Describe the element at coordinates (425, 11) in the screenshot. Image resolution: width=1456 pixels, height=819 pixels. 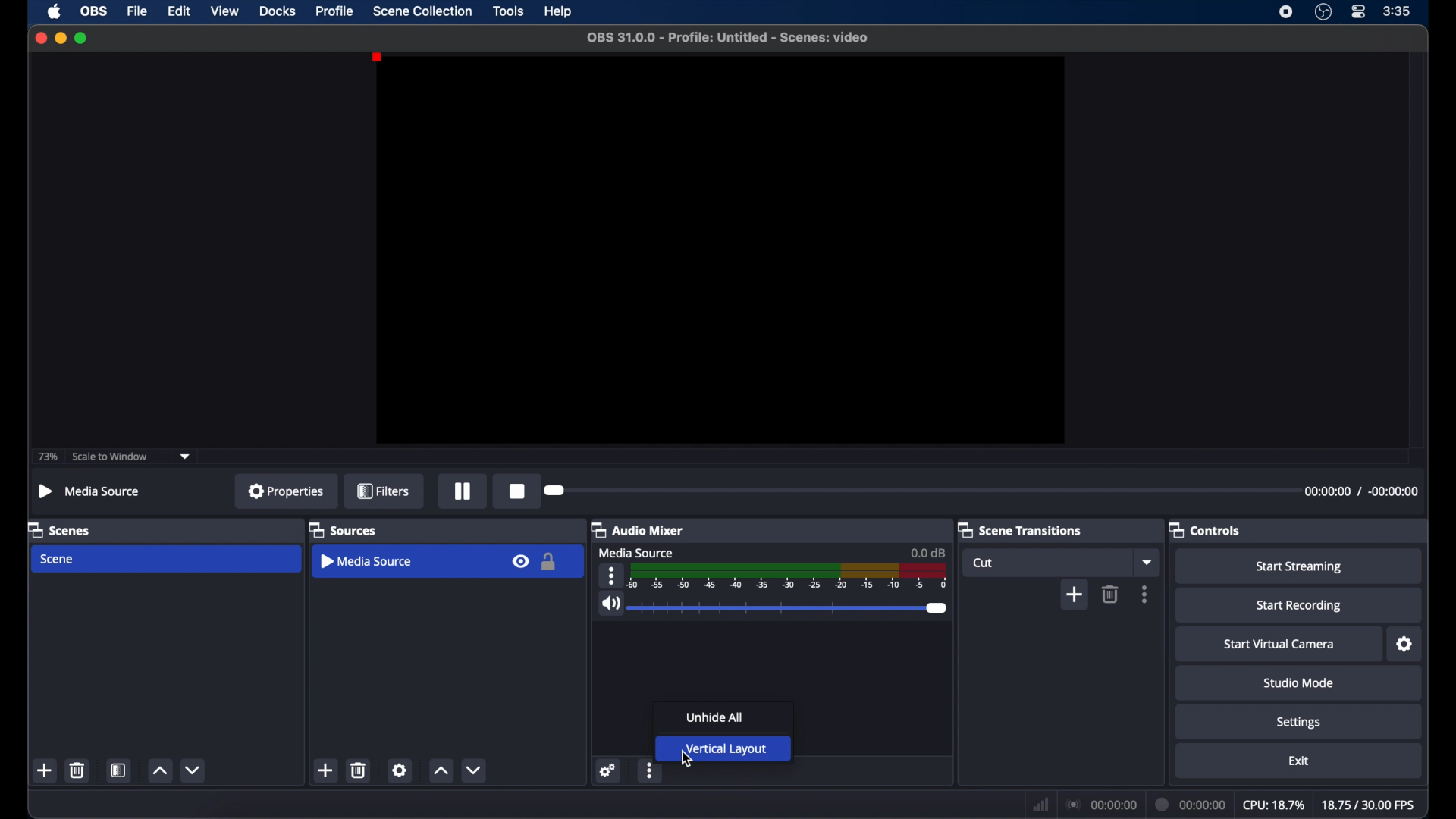
I see `scene collection` at that location.